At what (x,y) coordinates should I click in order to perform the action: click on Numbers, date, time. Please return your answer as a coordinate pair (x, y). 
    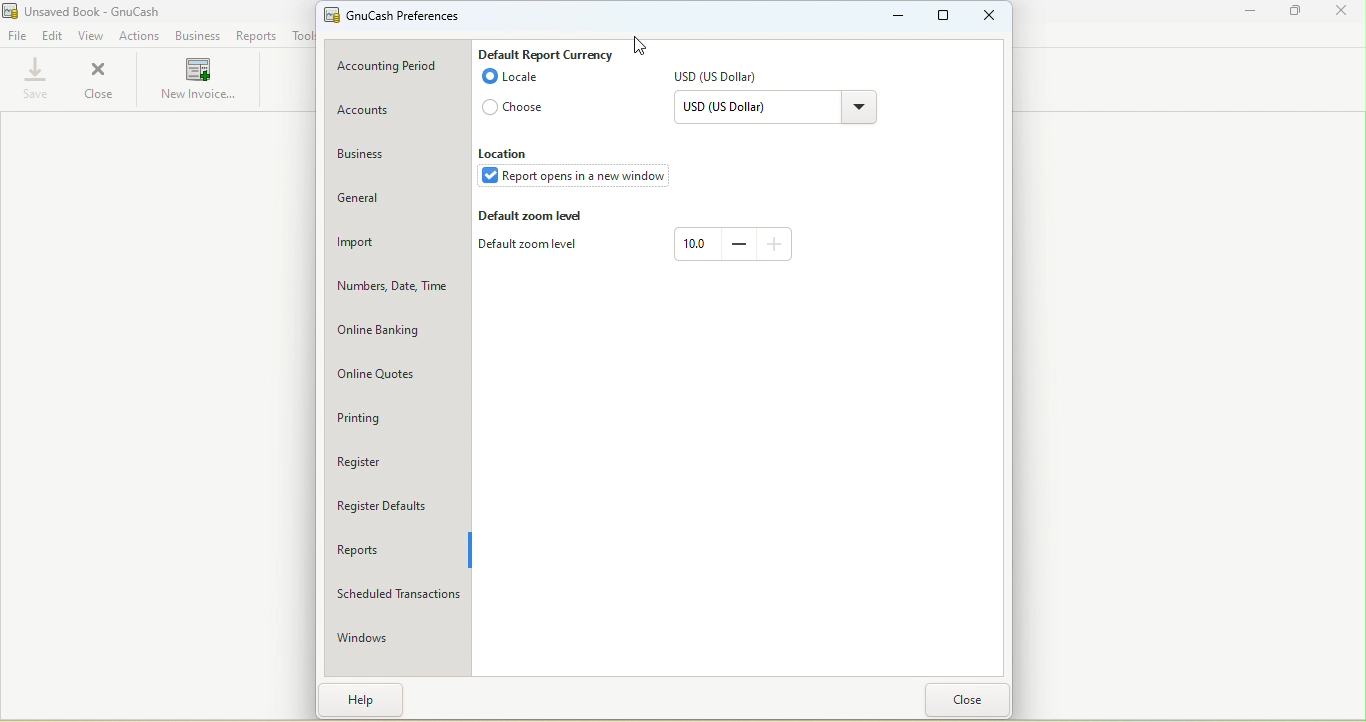
    Looking at the image, I should click on (398, 290).